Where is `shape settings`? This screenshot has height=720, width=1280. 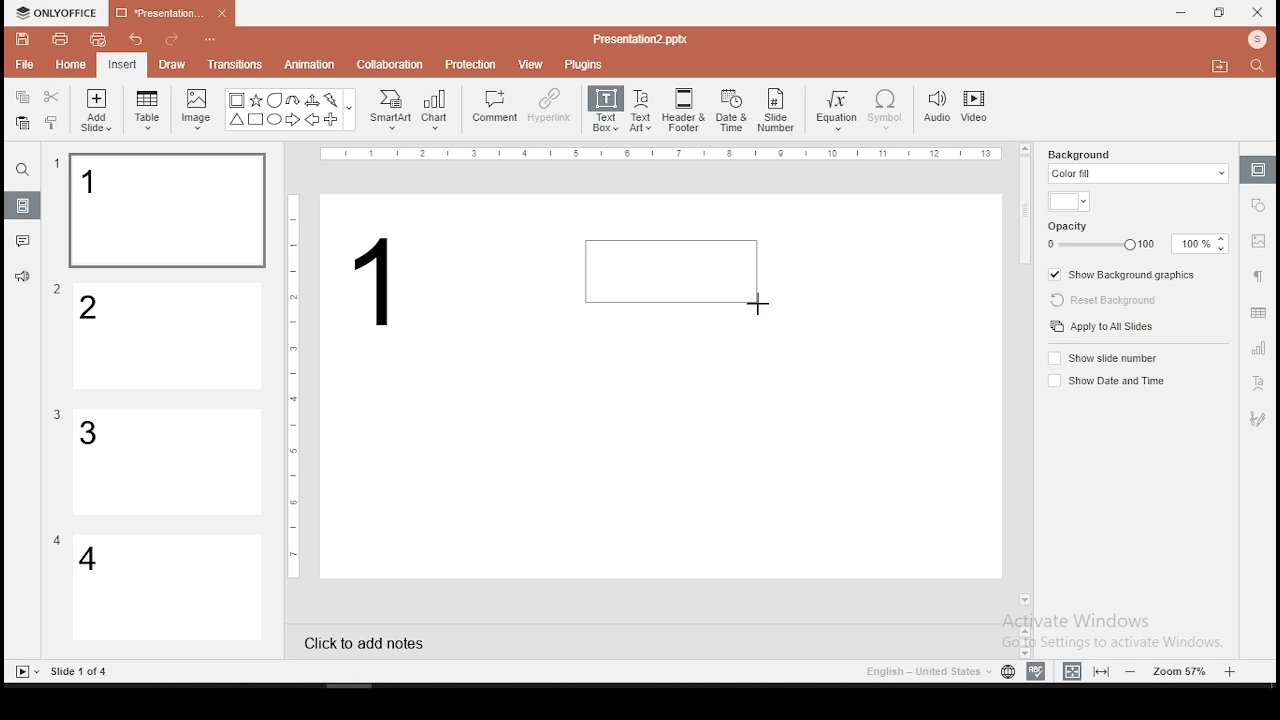
shape settings is located at coordinates (1259, 203).